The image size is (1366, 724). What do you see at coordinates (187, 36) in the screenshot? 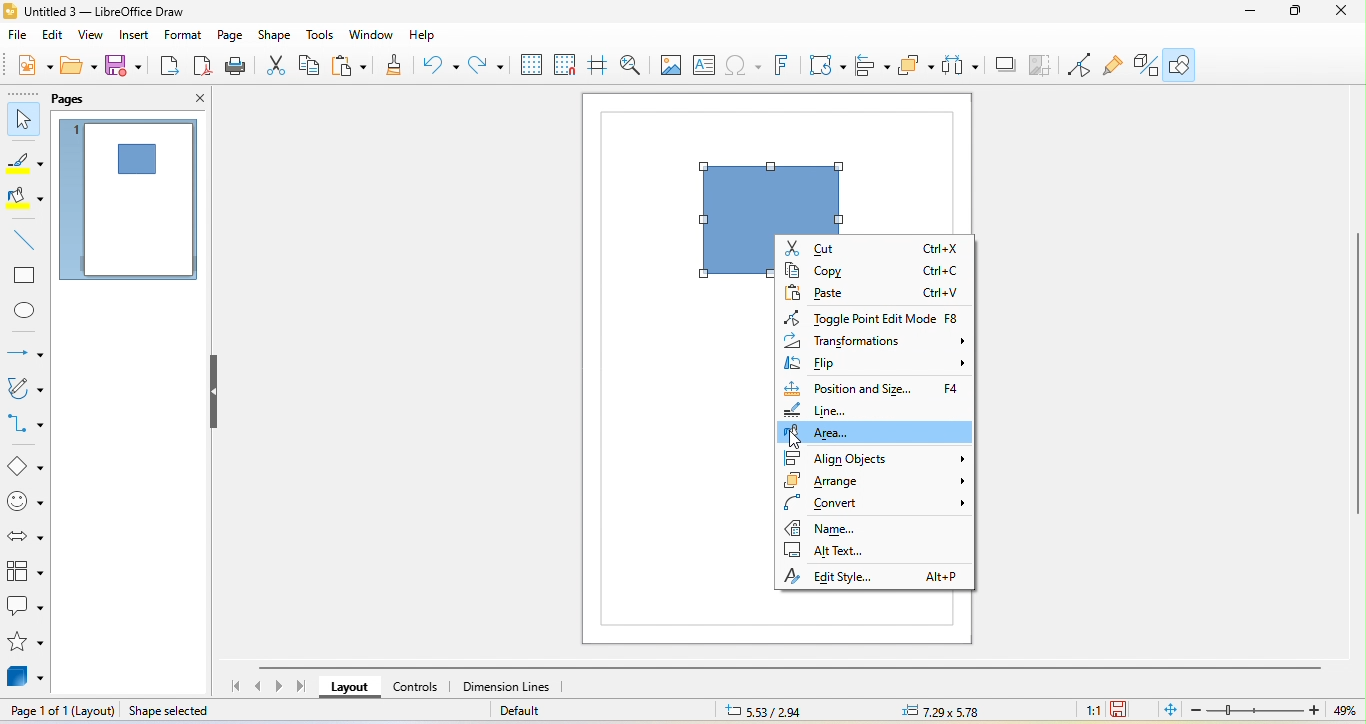
I see `format` at bounding box center [187, 36].